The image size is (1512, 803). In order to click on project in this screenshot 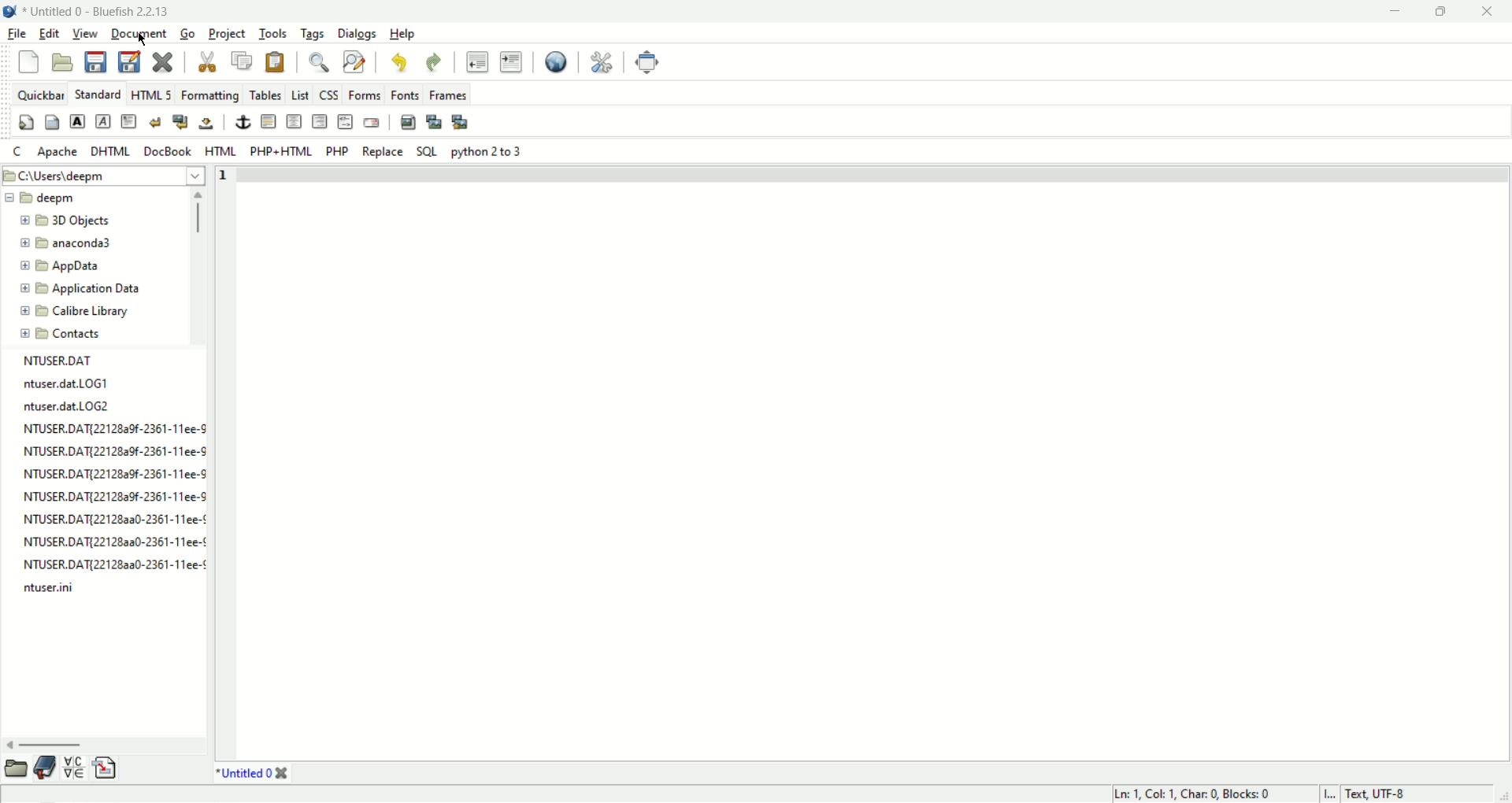, I will do `click(227, 34)`.